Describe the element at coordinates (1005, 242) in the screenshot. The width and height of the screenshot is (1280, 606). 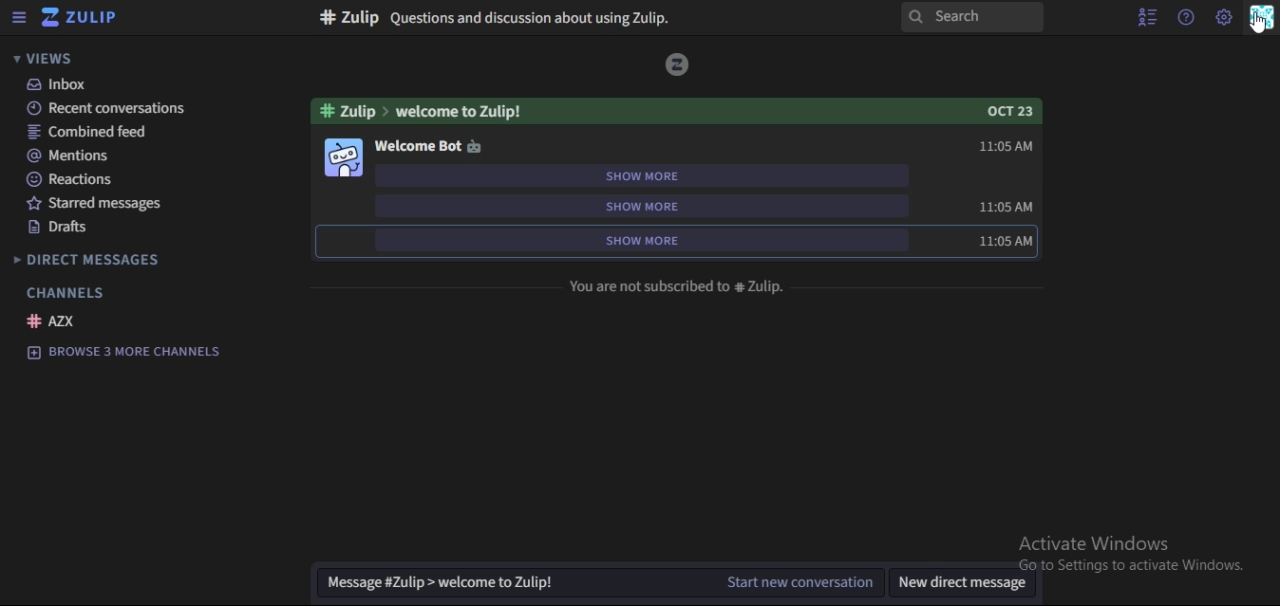
I see `11:05 AM` at that location.